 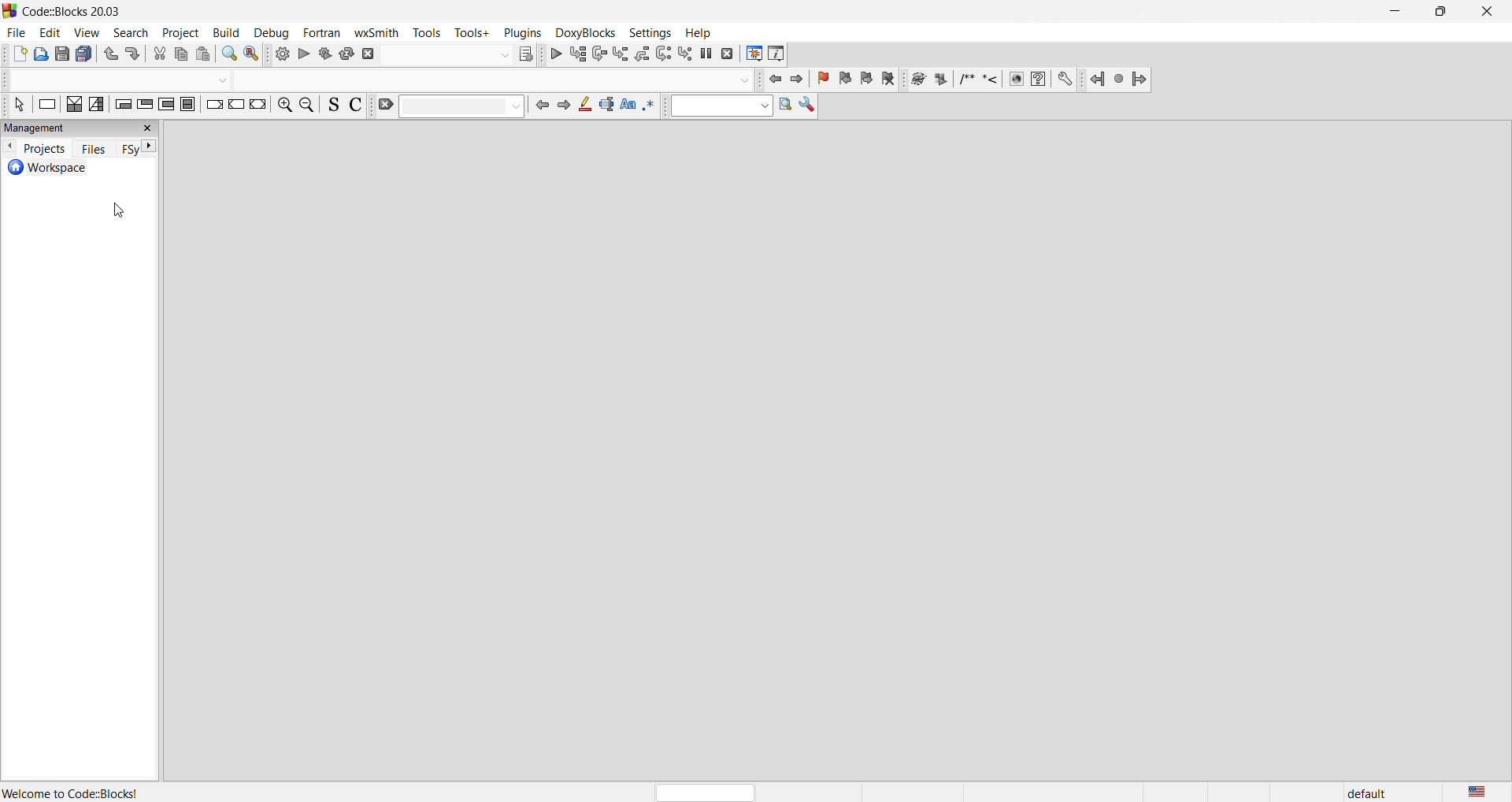 I want to click on code completion, so click(x=380, y=80).